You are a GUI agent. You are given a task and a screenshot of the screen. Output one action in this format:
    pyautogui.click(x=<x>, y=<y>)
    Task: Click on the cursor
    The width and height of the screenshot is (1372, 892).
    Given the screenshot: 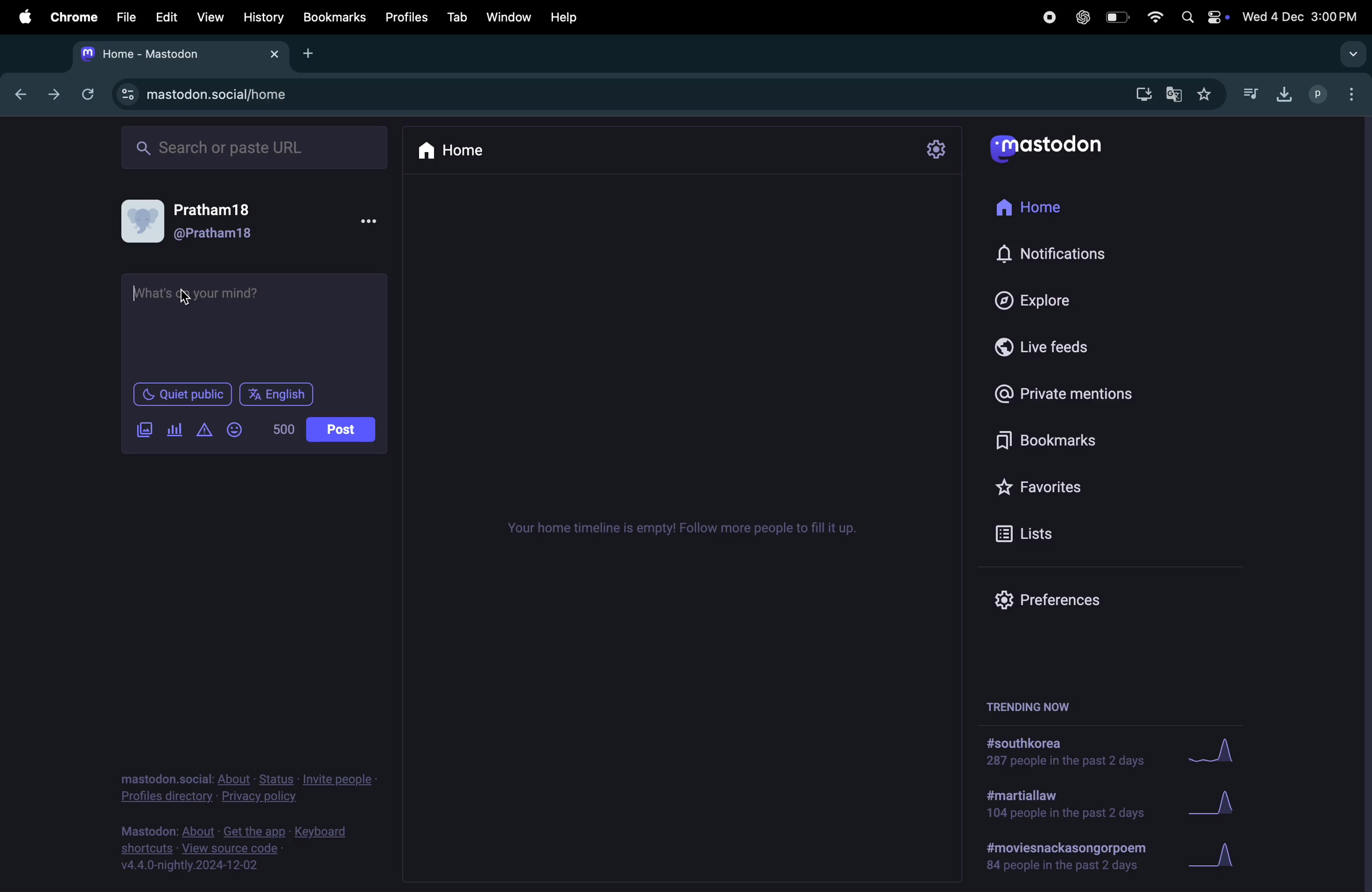 What is the action you would take?
    pyautogui.click(x=187, y=299)
    